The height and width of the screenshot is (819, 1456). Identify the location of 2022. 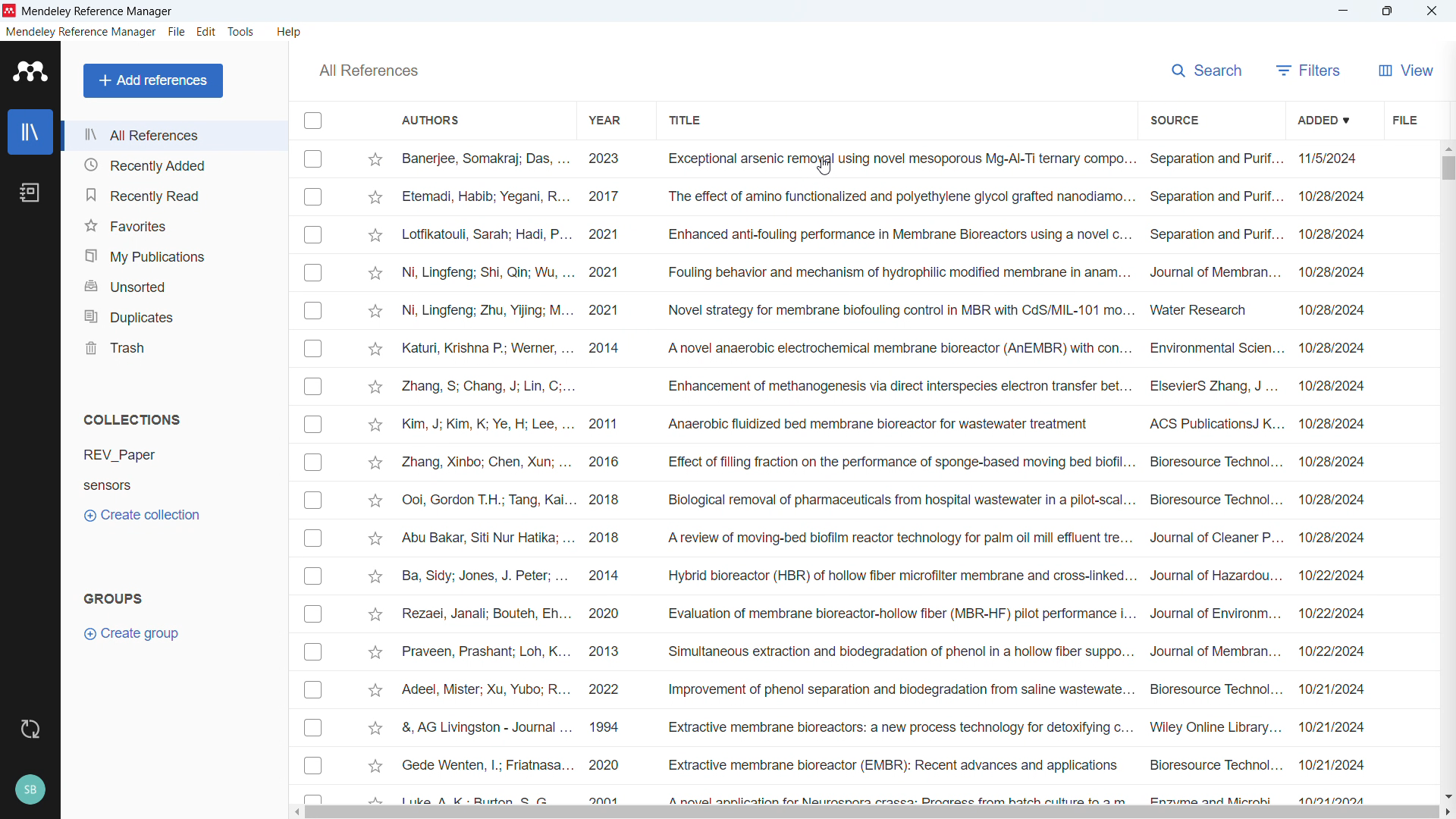
(611, 690).